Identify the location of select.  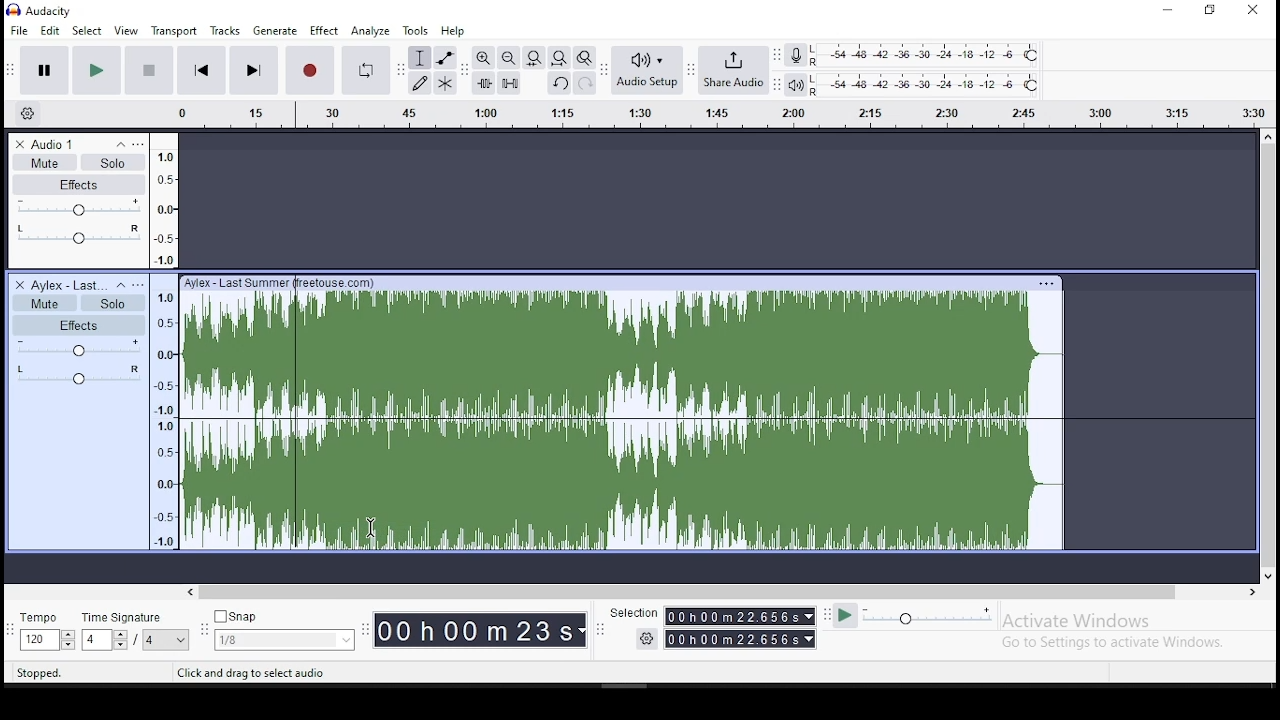
(88, 31).